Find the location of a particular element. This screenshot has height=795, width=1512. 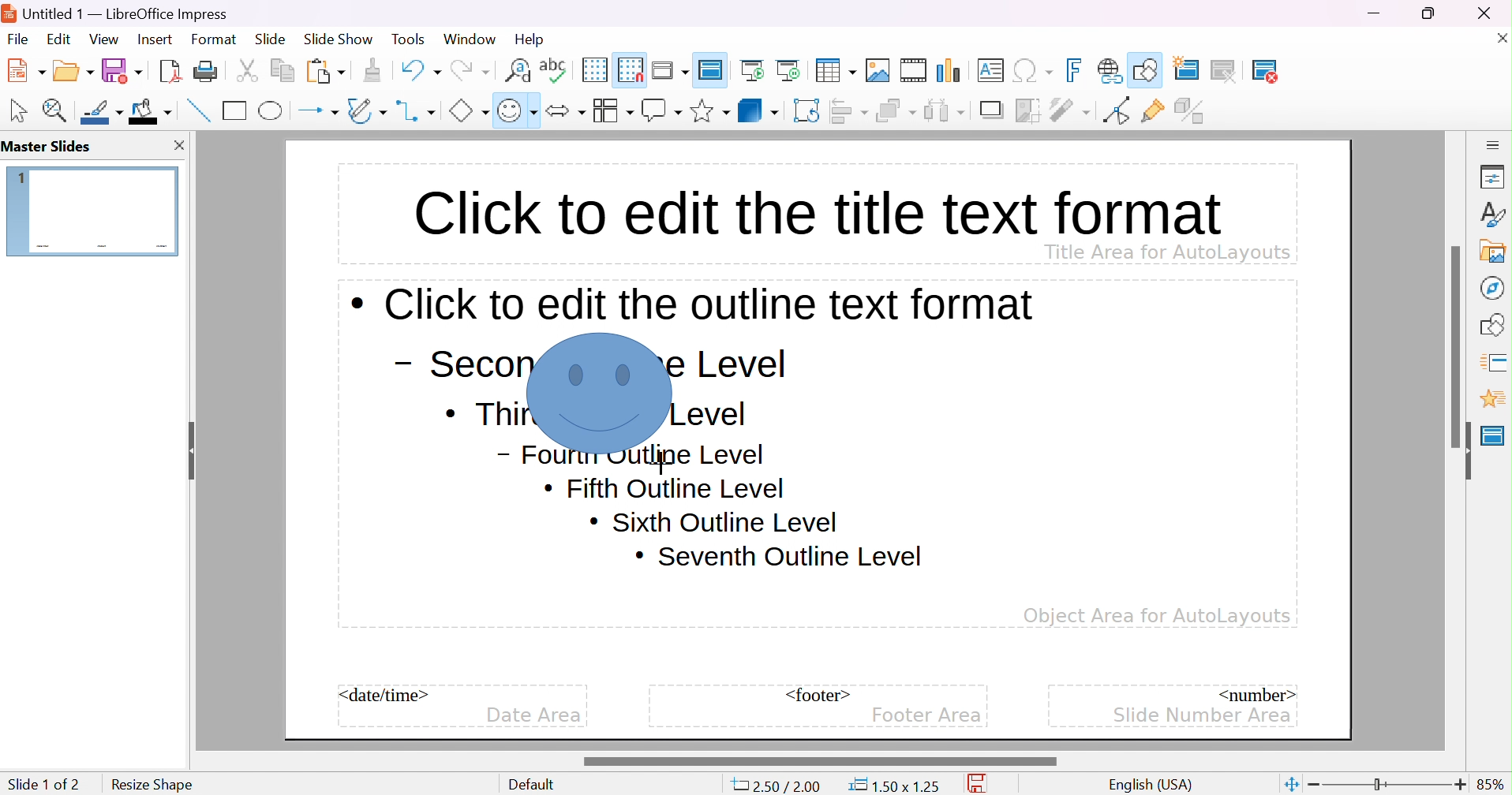

navigation is located at coordinates (1491, 287).